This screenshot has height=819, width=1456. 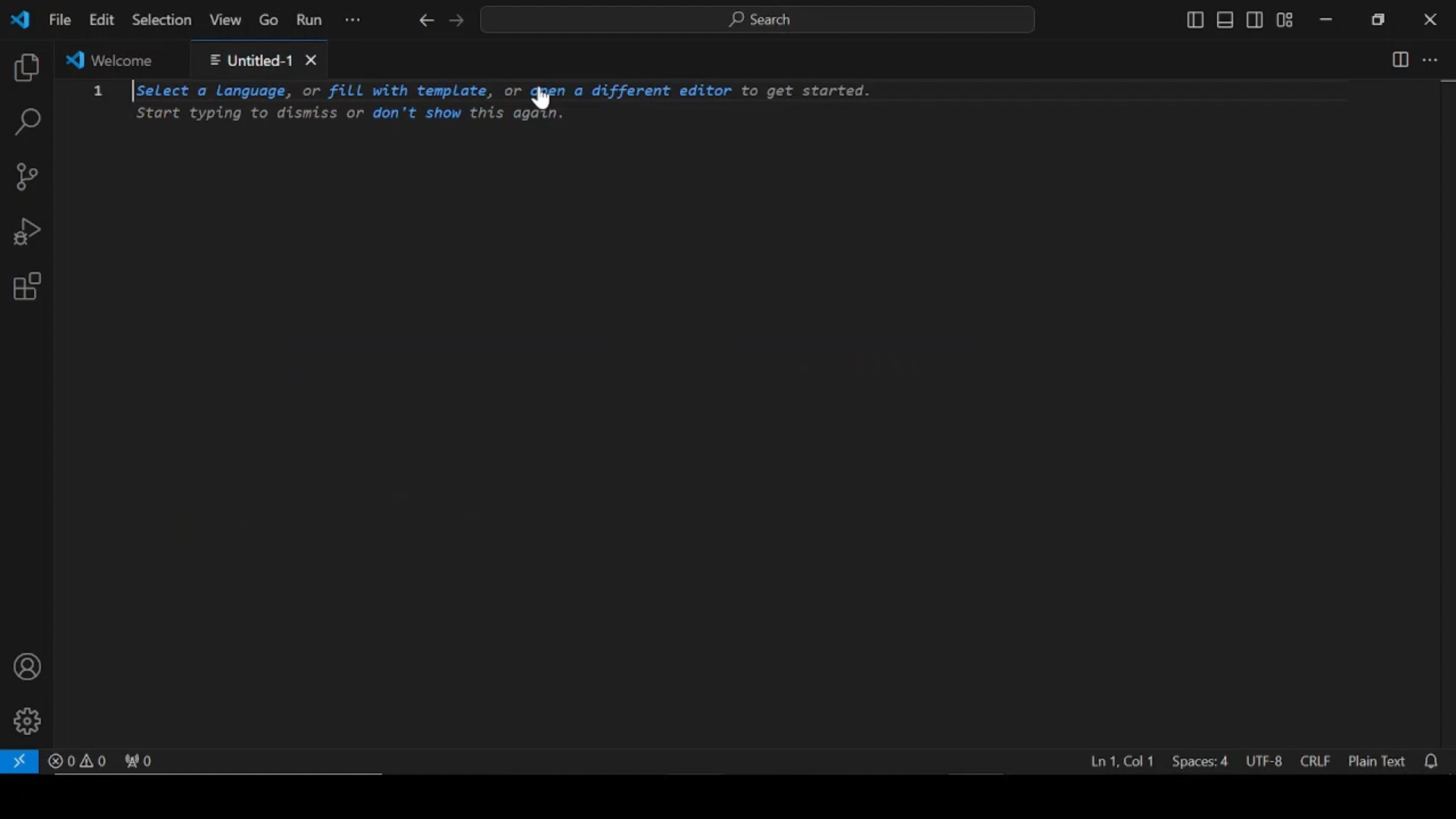 I want to click on run, so click(x=309, y=22).